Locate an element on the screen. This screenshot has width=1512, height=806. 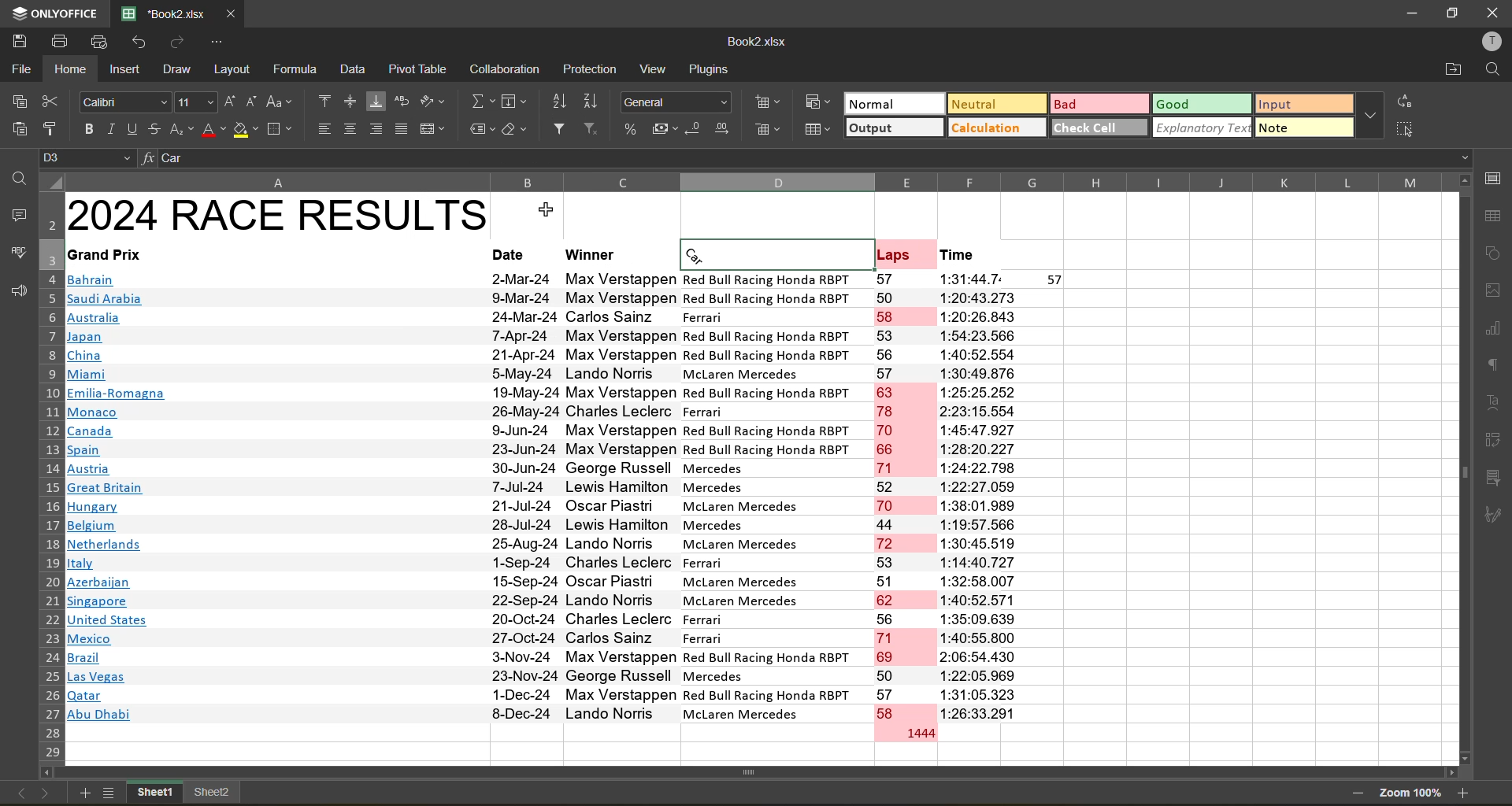
clear is located at coordinates (519, 131).